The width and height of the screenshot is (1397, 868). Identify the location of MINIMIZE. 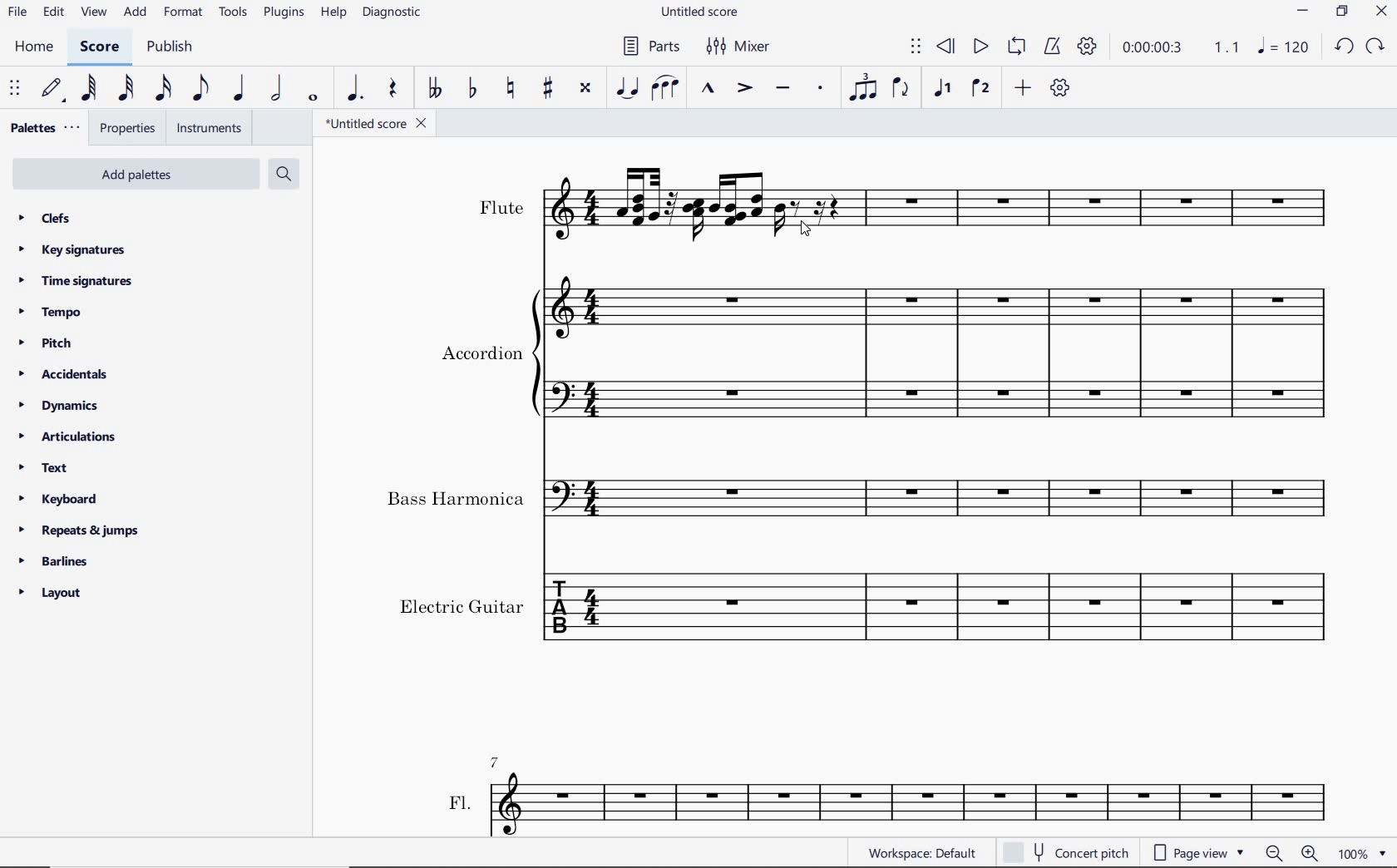
(1303, 10).